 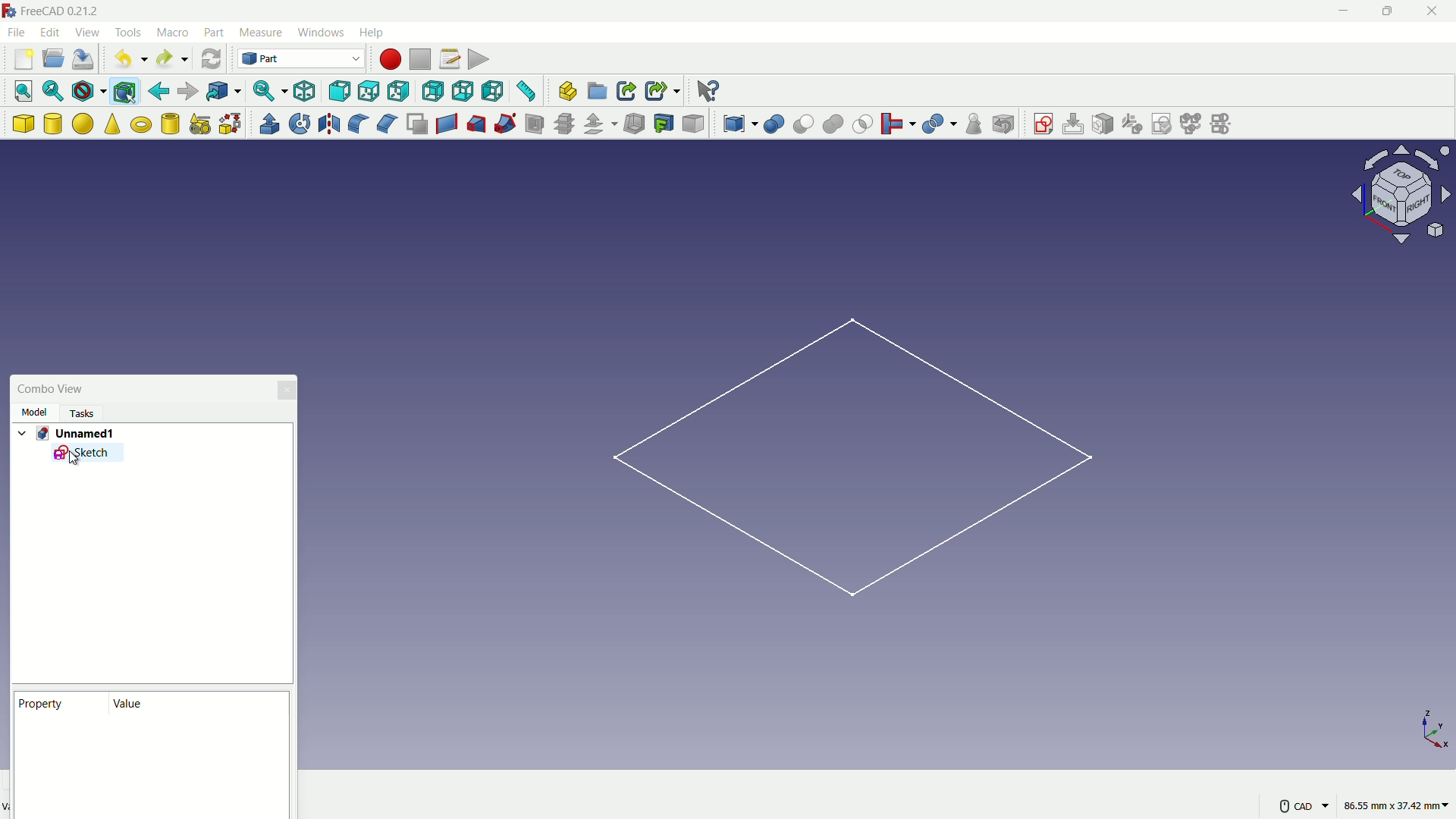 What do you see at coordinates (447, 122) in the screenshot?
I see `create ruled surface` at bounding box center [447, 122].